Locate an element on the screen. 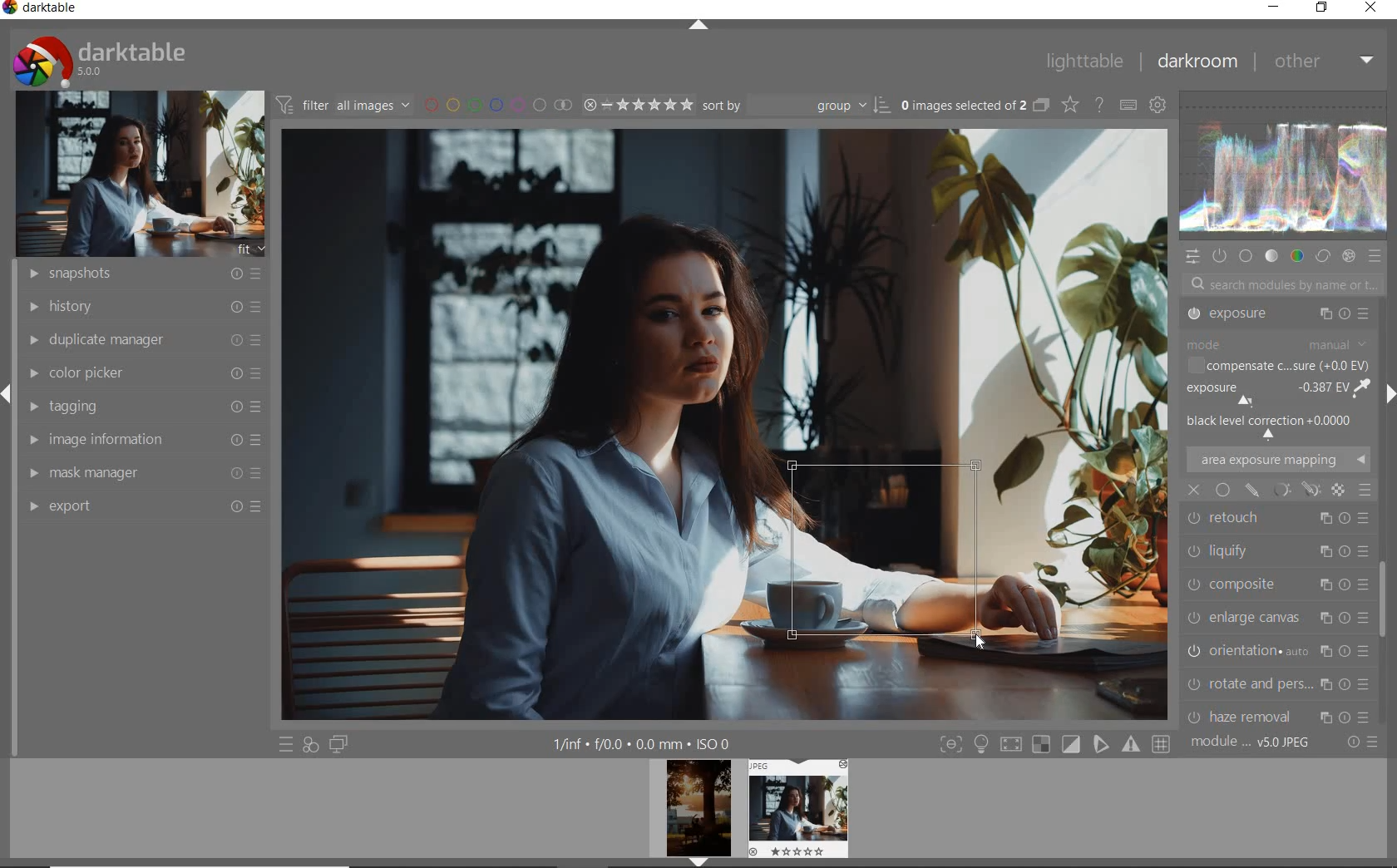  SELECTED  IMAGE RANGE RATING is located at coordinates (637, 105).